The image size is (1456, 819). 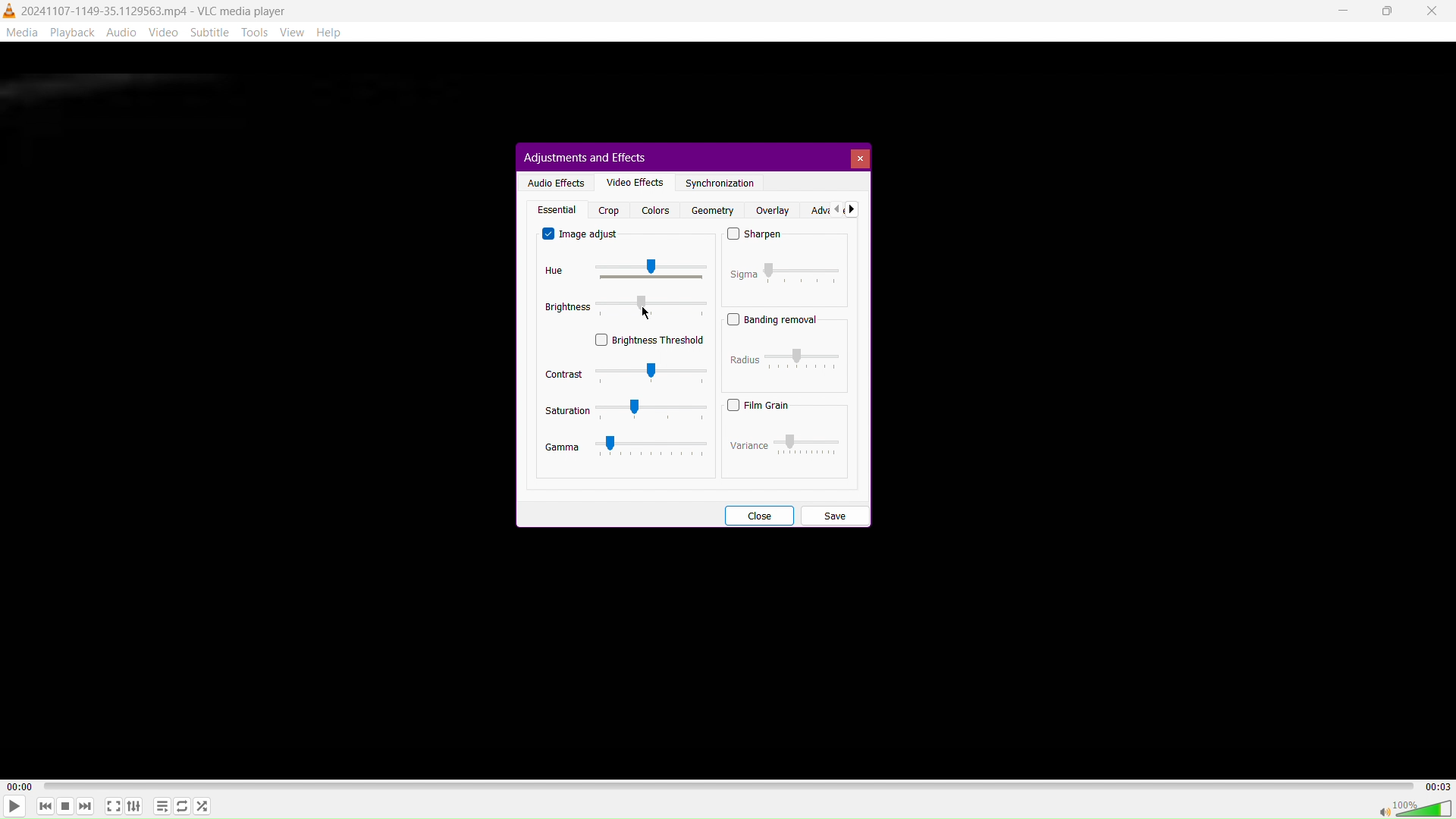 What do you see at coordinates (787, 358) in the screenshot?
I see `Radius` at bounding box center [787, 358].